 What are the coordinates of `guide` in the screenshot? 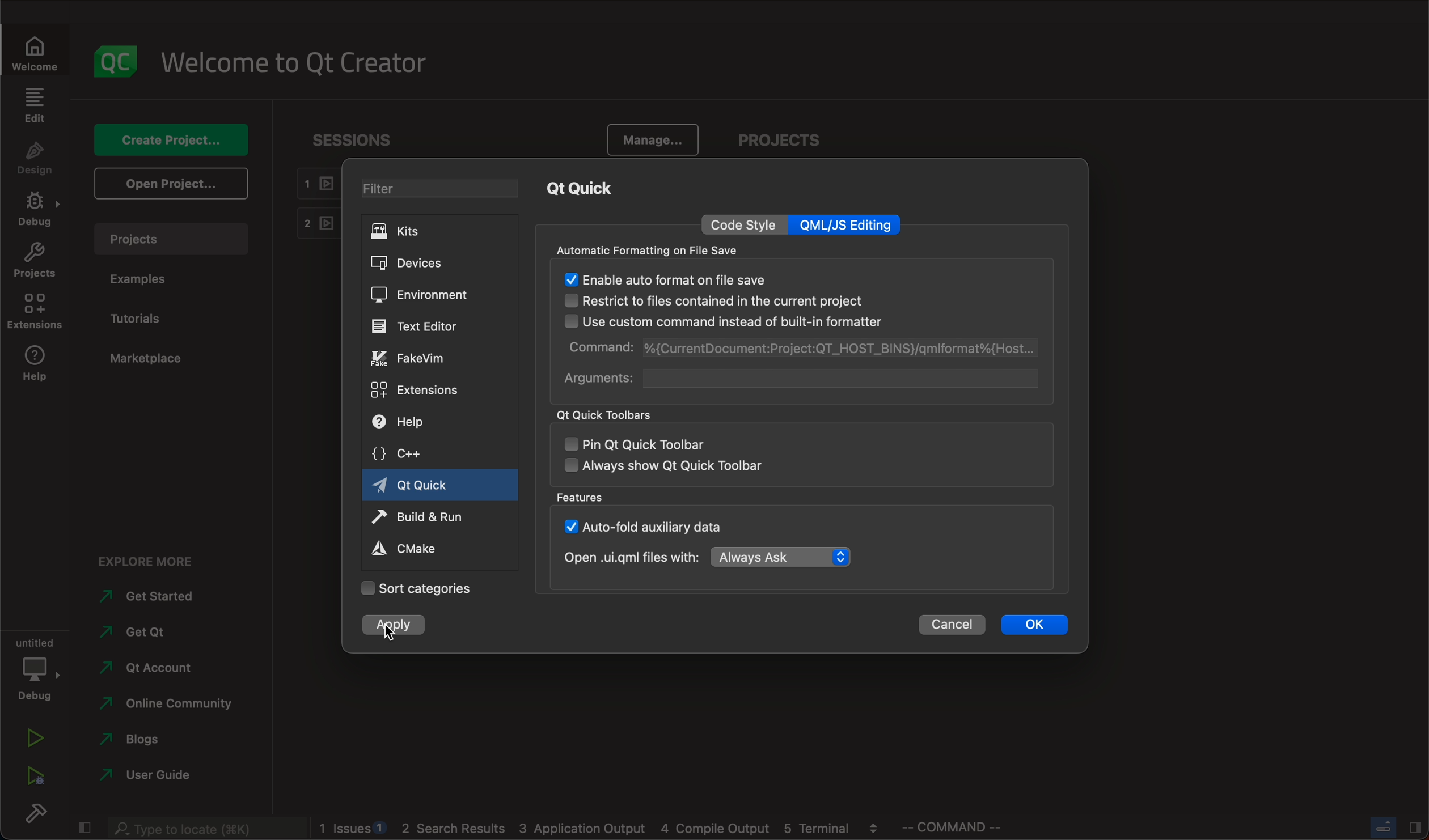 It's located at (160, 776).